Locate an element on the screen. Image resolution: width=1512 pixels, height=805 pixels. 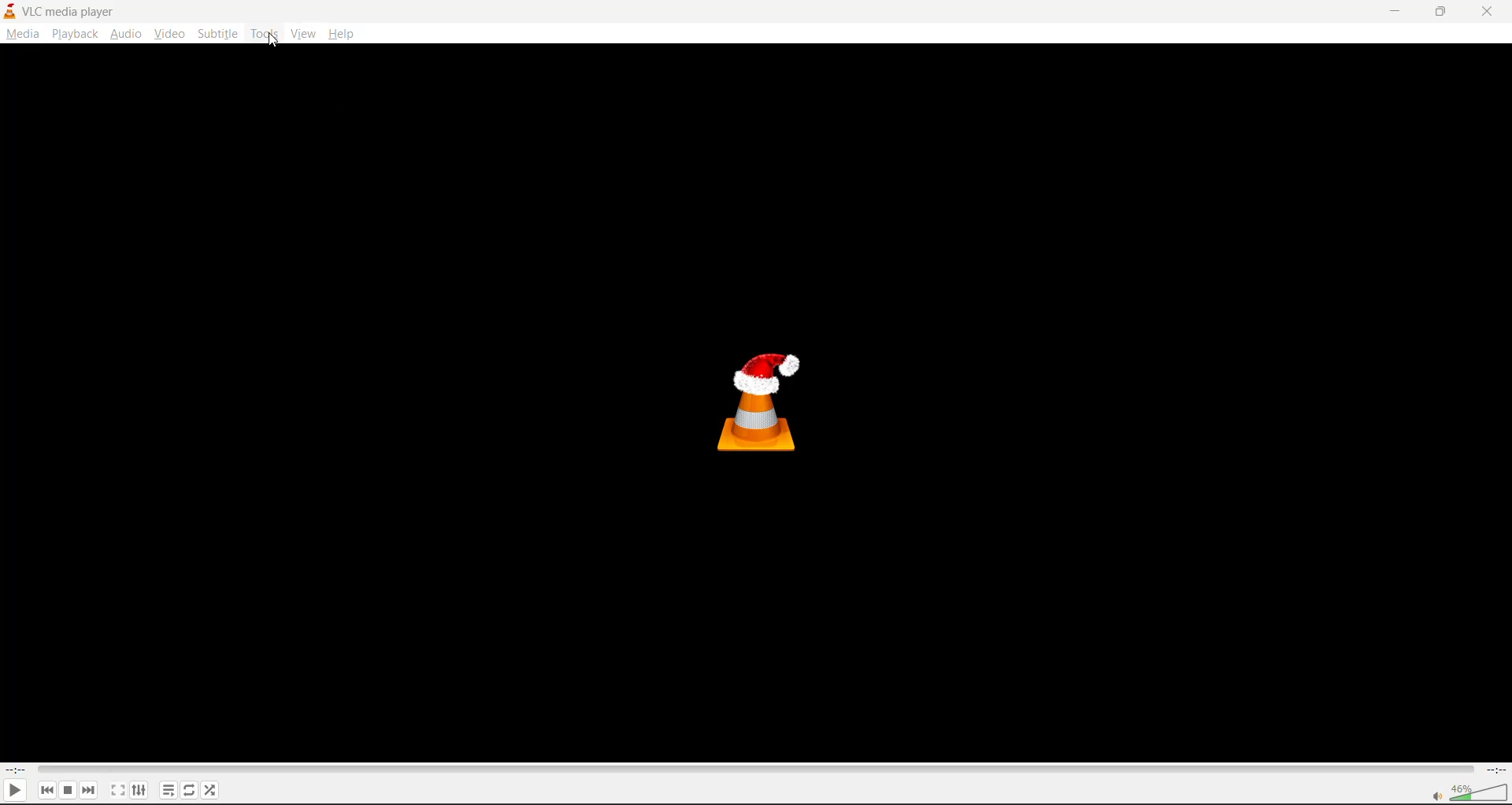
suntitle is located at coordinates (217, 33).